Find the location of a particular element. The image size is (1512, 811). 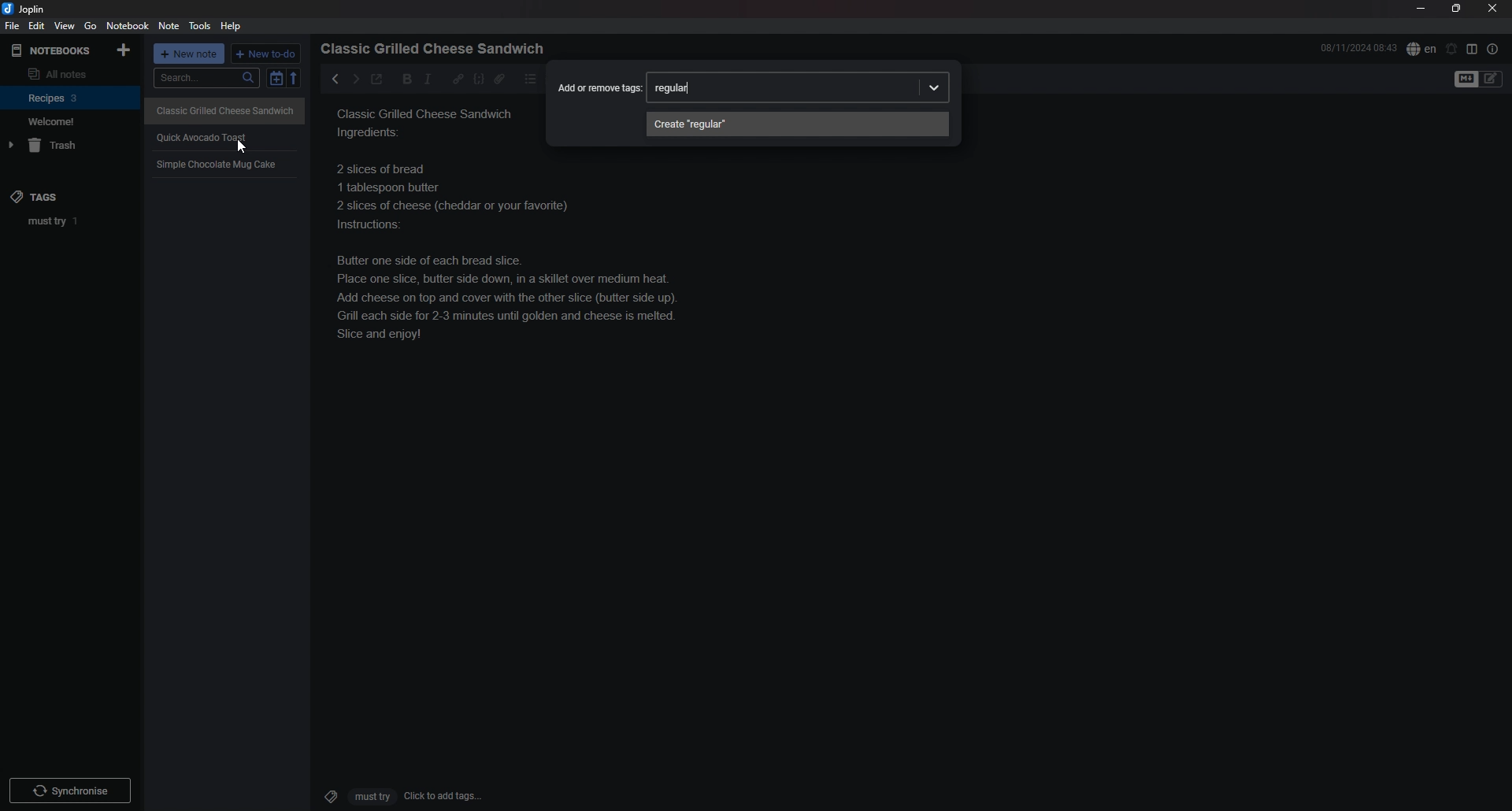

reverse sort order is located at coordinates (297, 79).